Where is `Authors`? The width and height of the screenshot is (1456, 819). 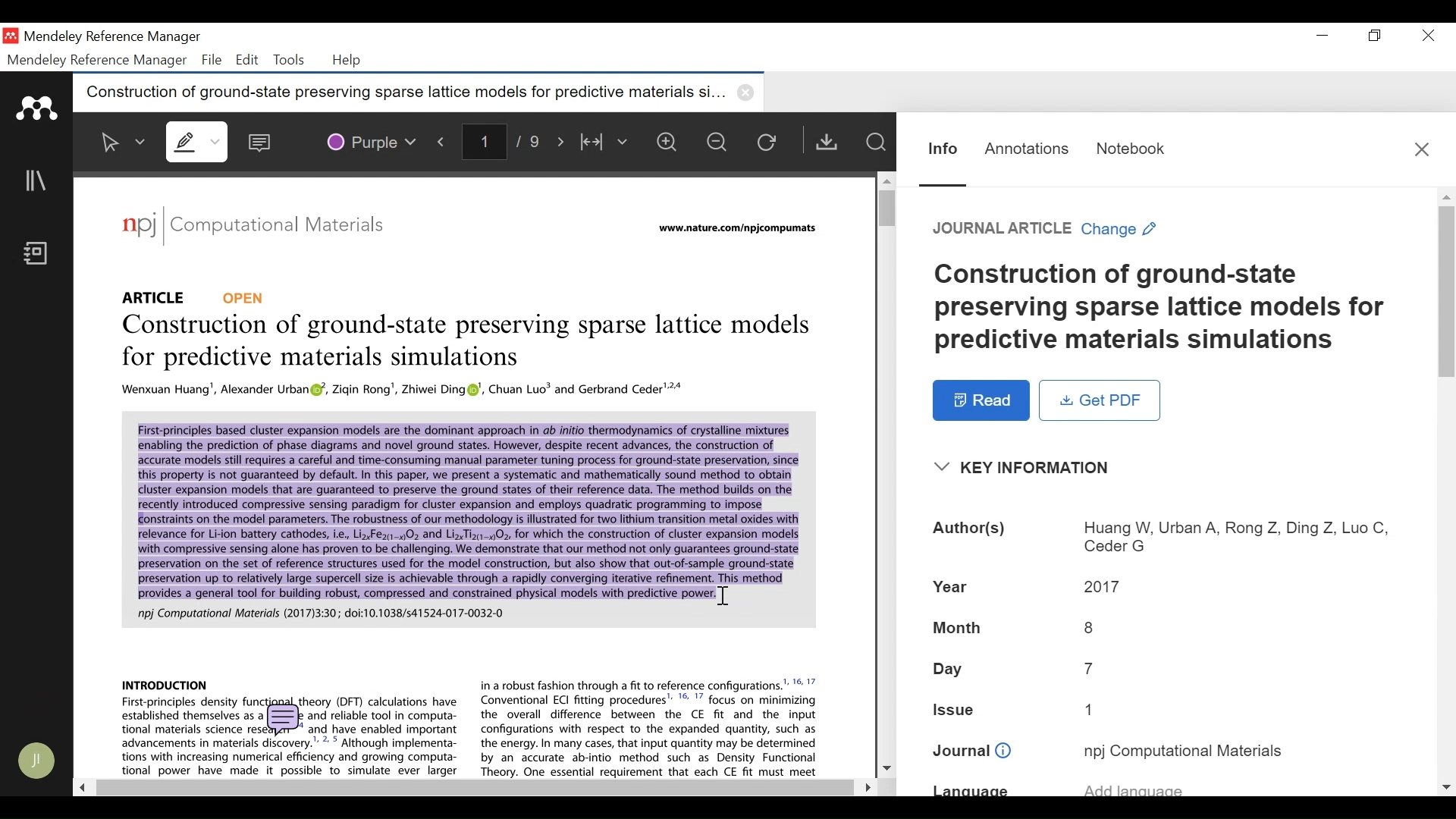
Authors is located at coordinates (1235, 538).